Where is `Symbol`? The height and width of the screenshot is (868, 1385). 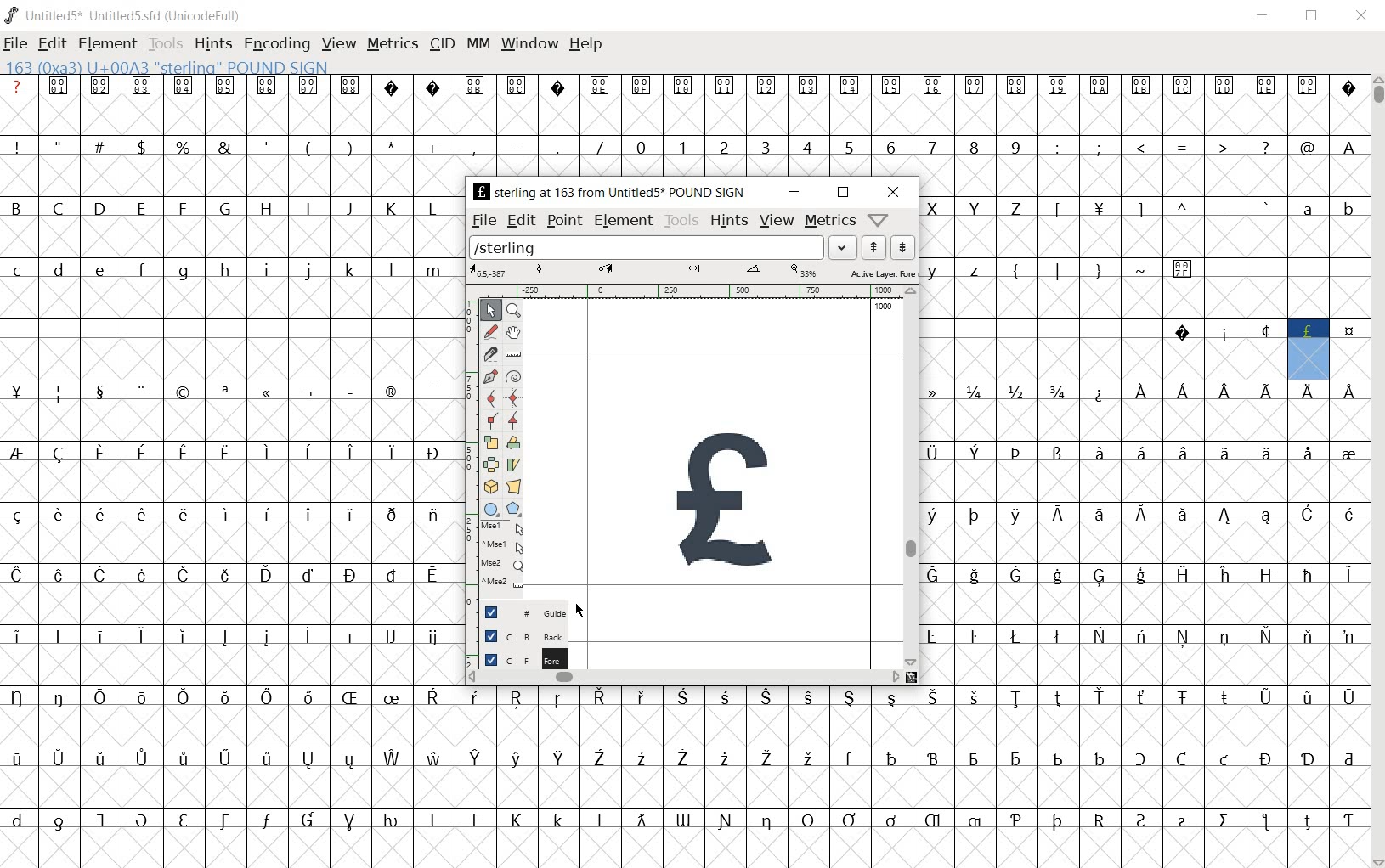
Symbol is located at coordinates (1225, 760).